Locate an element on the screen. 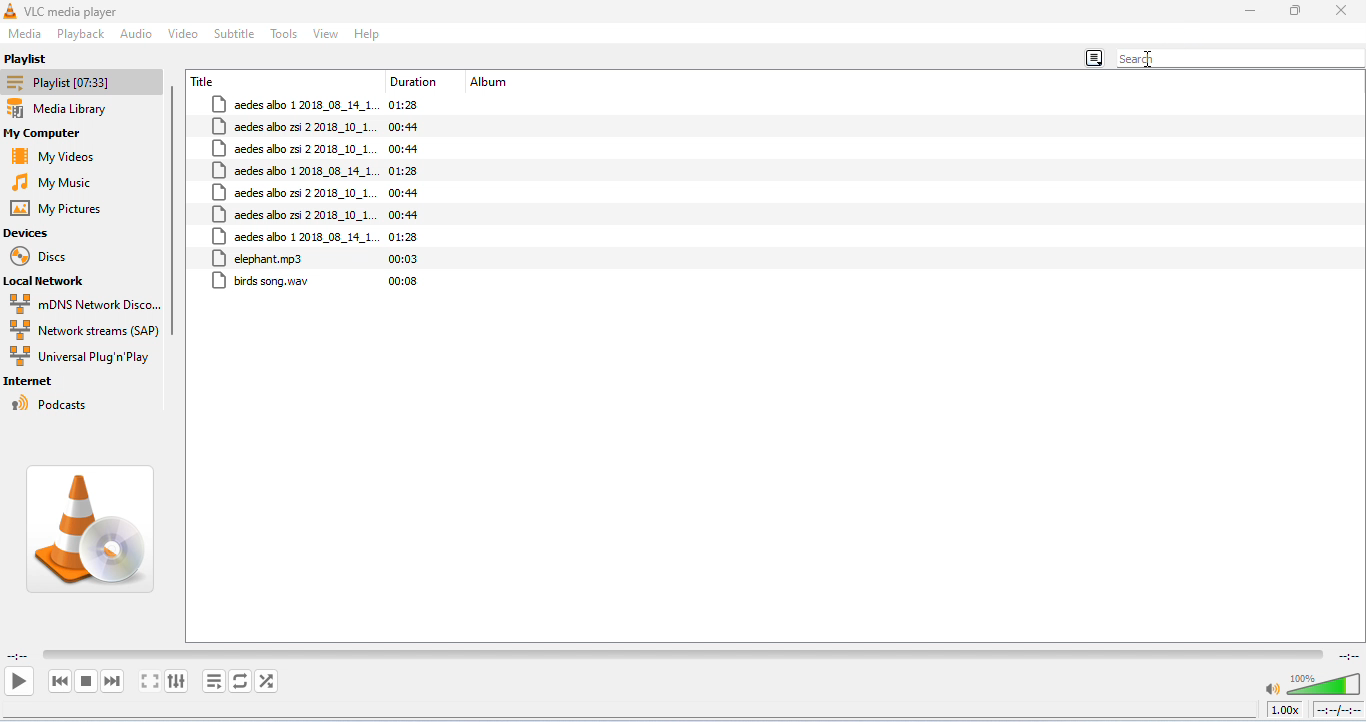  toggle between loop is located at coordinates (239, 681).